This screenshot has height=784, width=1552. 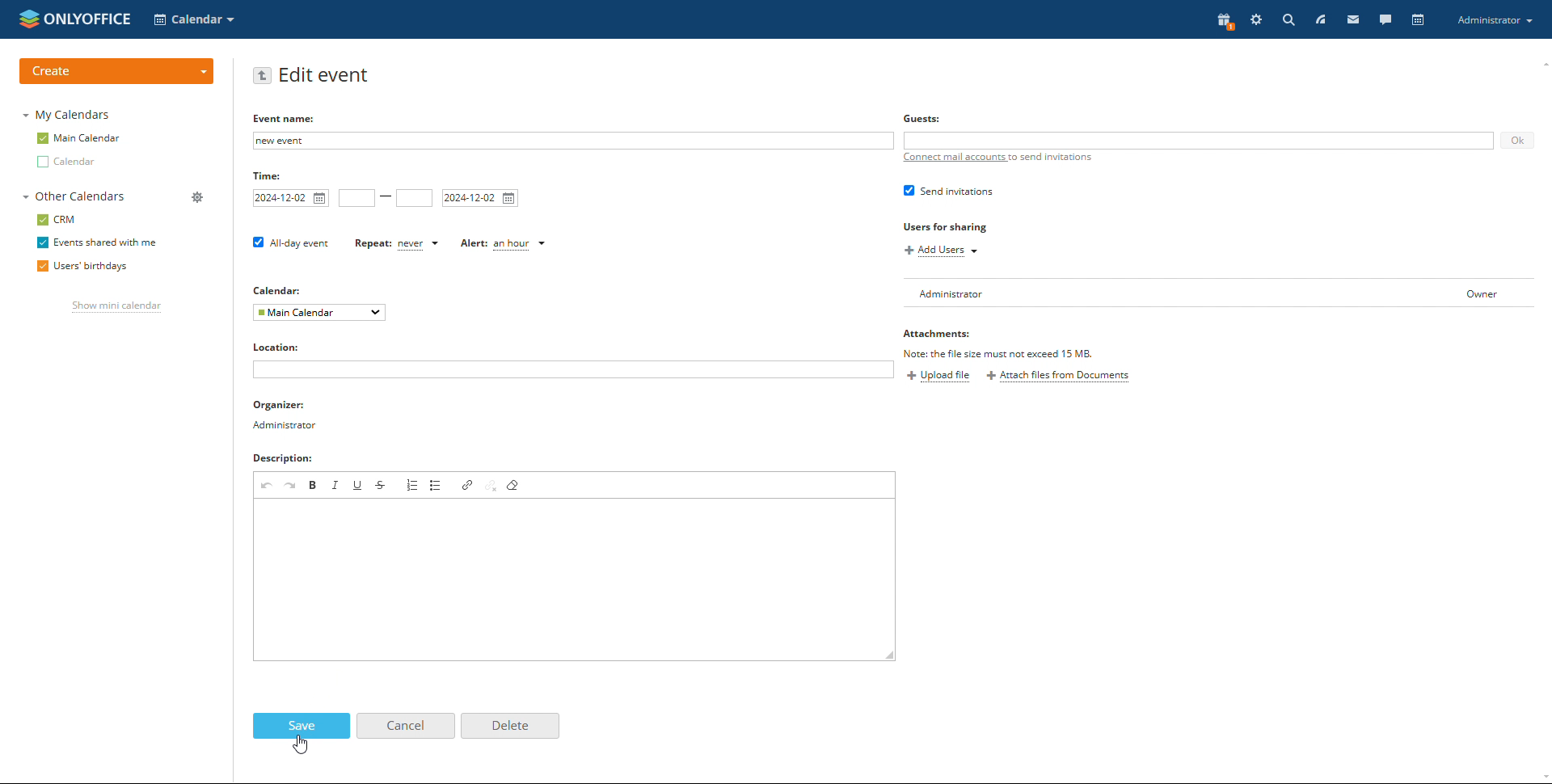 What do you see at coordinates (358, 485) in the screenshot?
I see `underline` at bounding box center [358, 485].